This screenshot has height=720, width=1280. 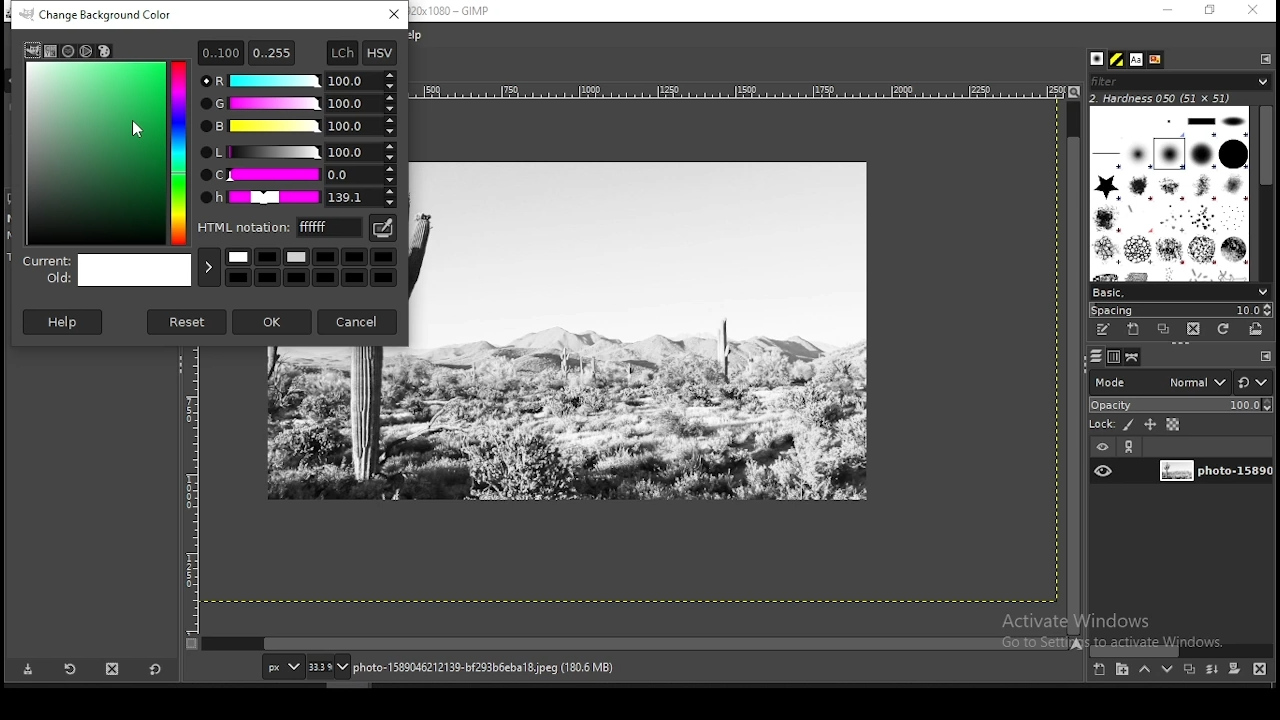 What do you see at coordinates (108, 272) in the screenshot?
I see `color preview` at bounding box center [108, 272].